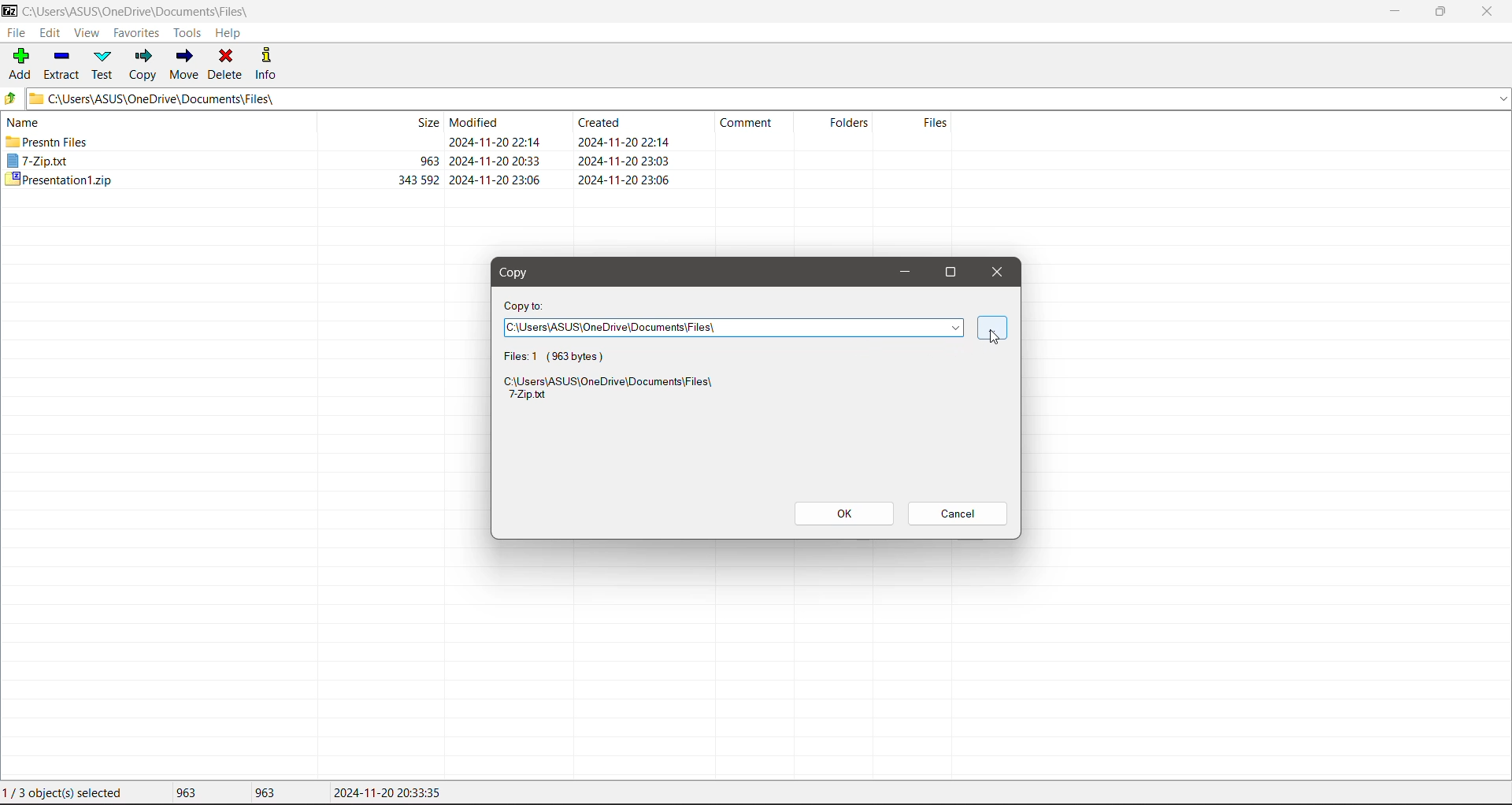 Image resolution: width=1512 pixels, height=805 pixels. What do you see at coordinates (998, 273) in the screenshot?
I see `Close` at bounding box center [998, 273].